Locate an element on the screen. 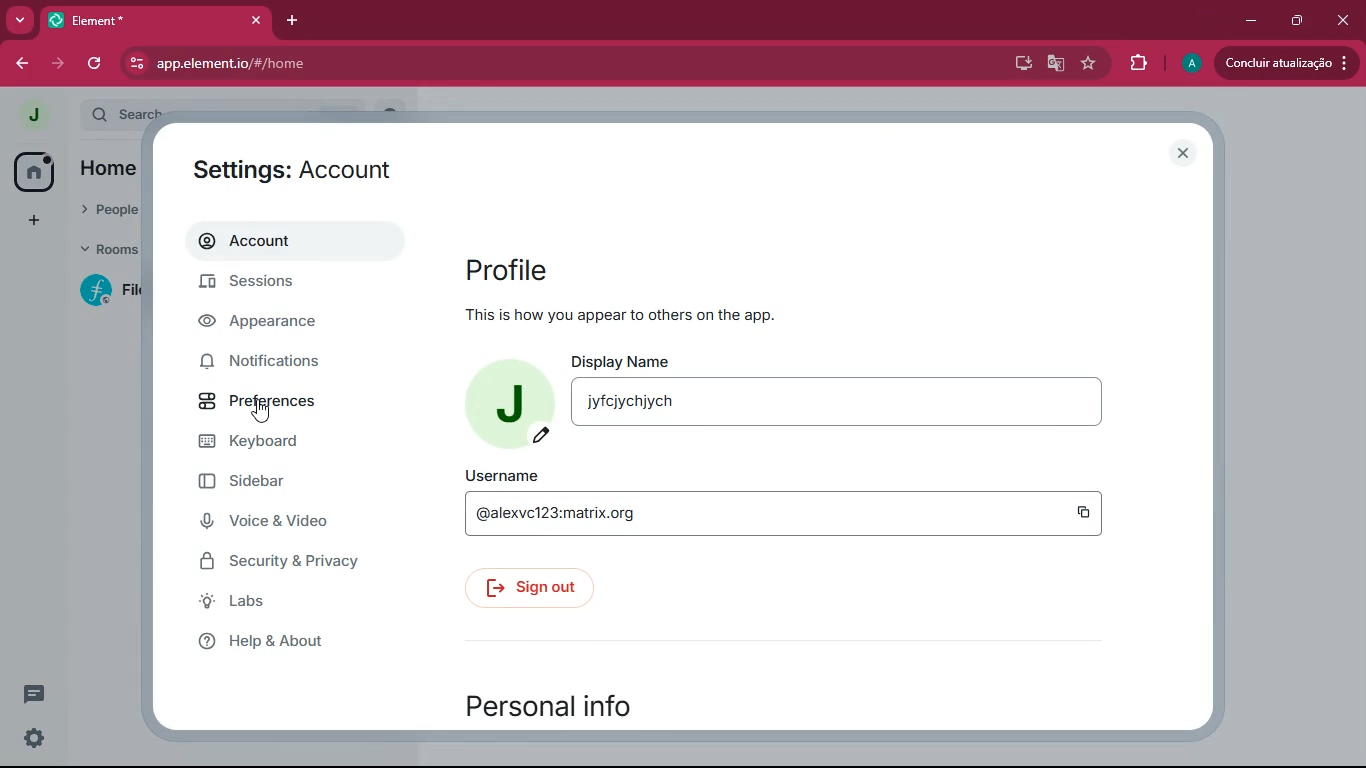  personal info is located at coordinates (594, 702).